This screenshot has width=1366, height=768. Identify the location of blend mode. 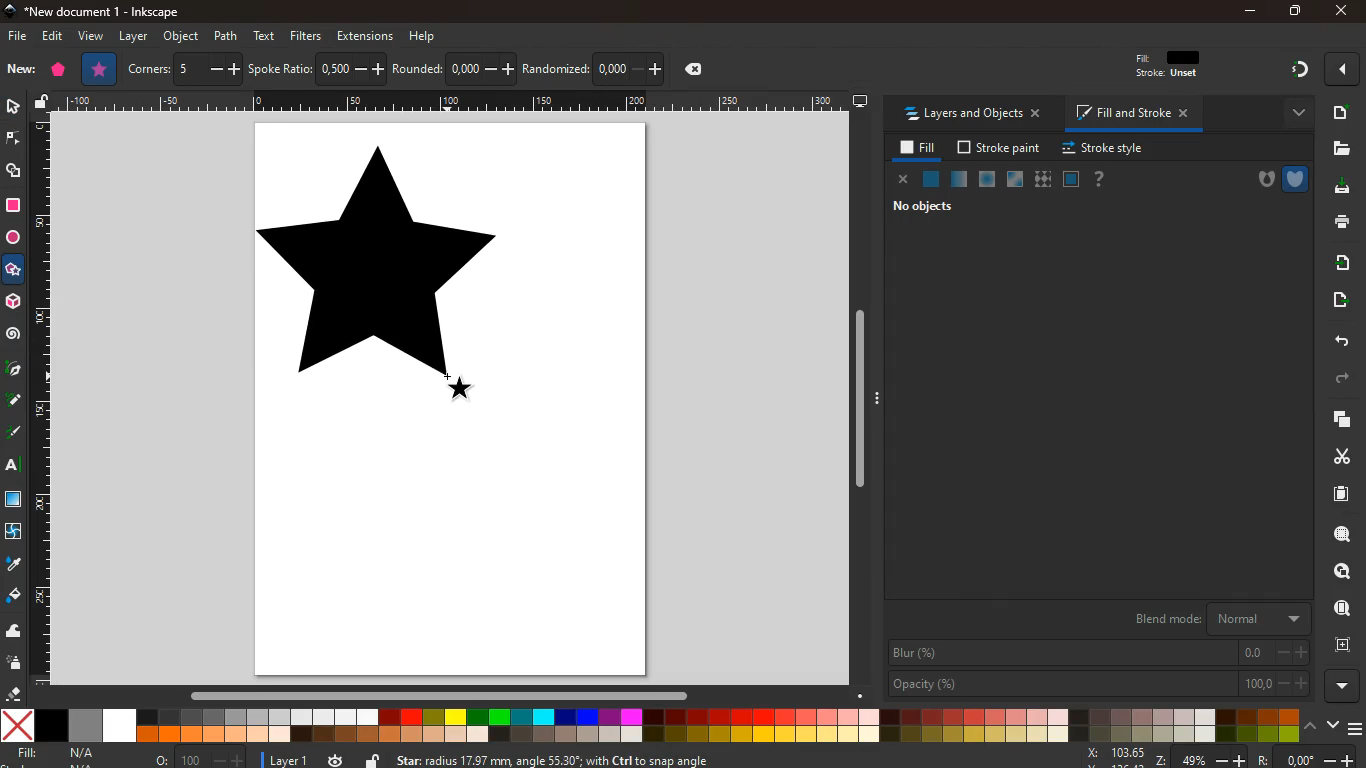
(1209, 618).